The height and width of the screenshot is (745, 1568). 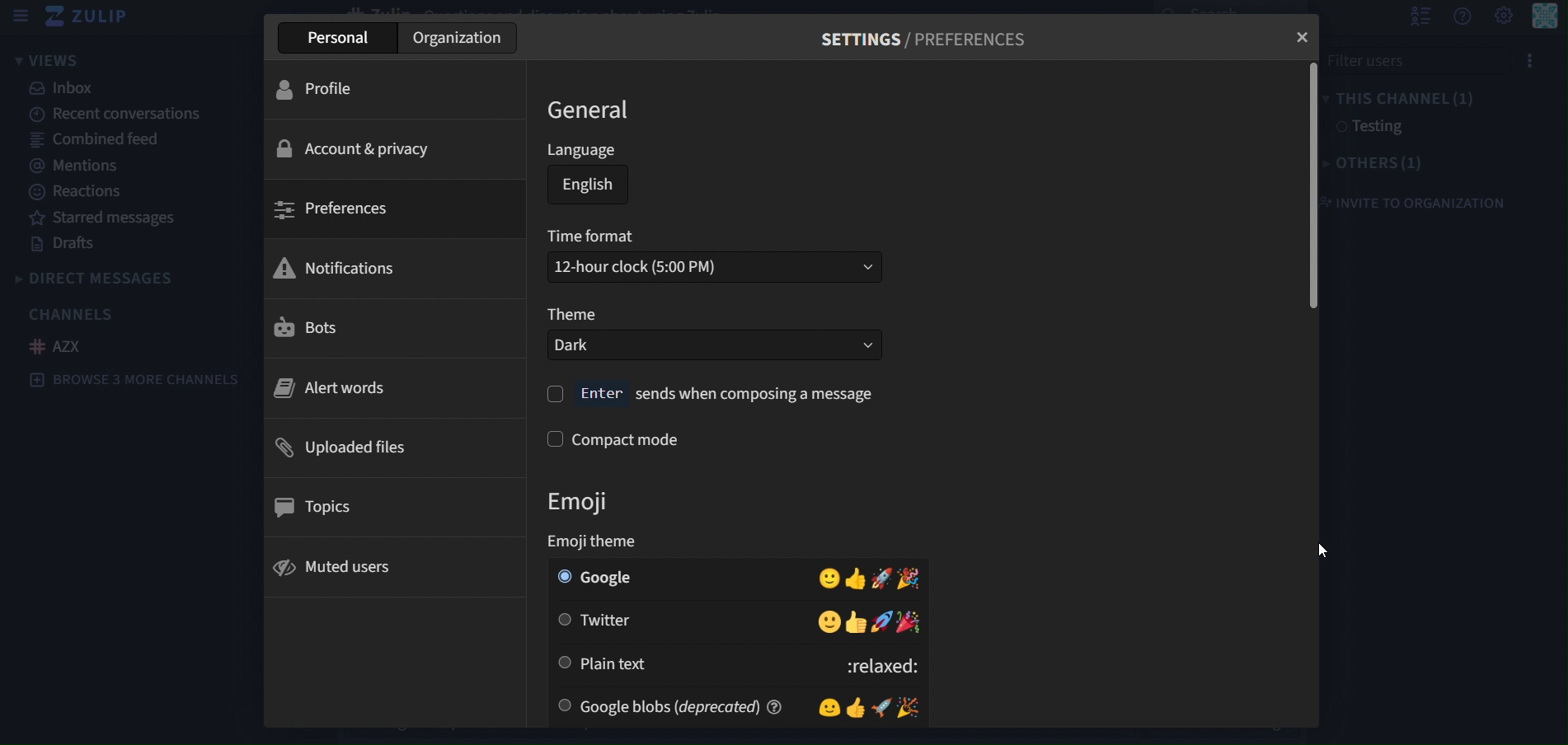 I want to click on check box, so click(x=554, y=395).